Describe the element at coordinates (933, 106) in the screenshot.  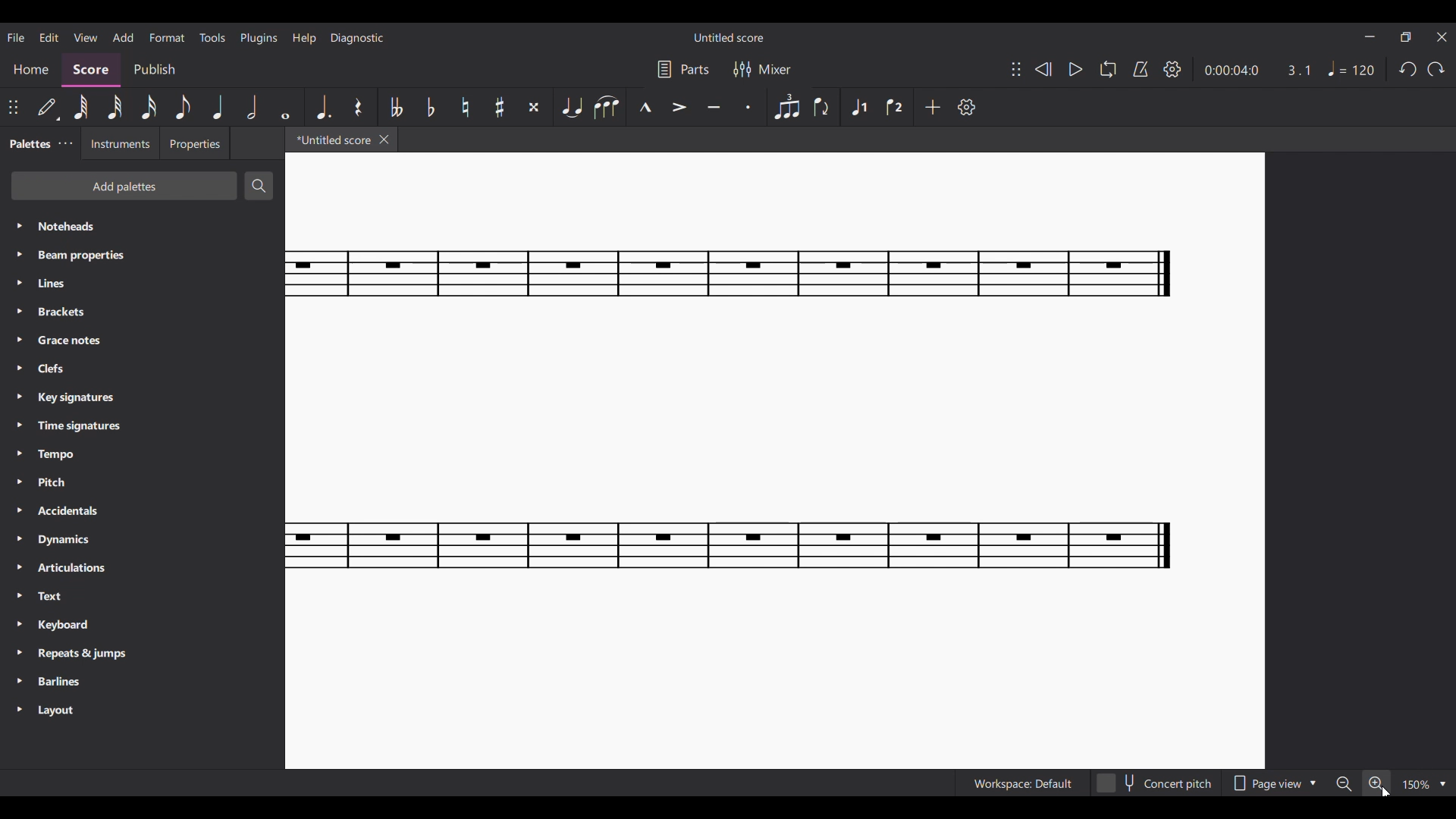
I see `Add` at that location.